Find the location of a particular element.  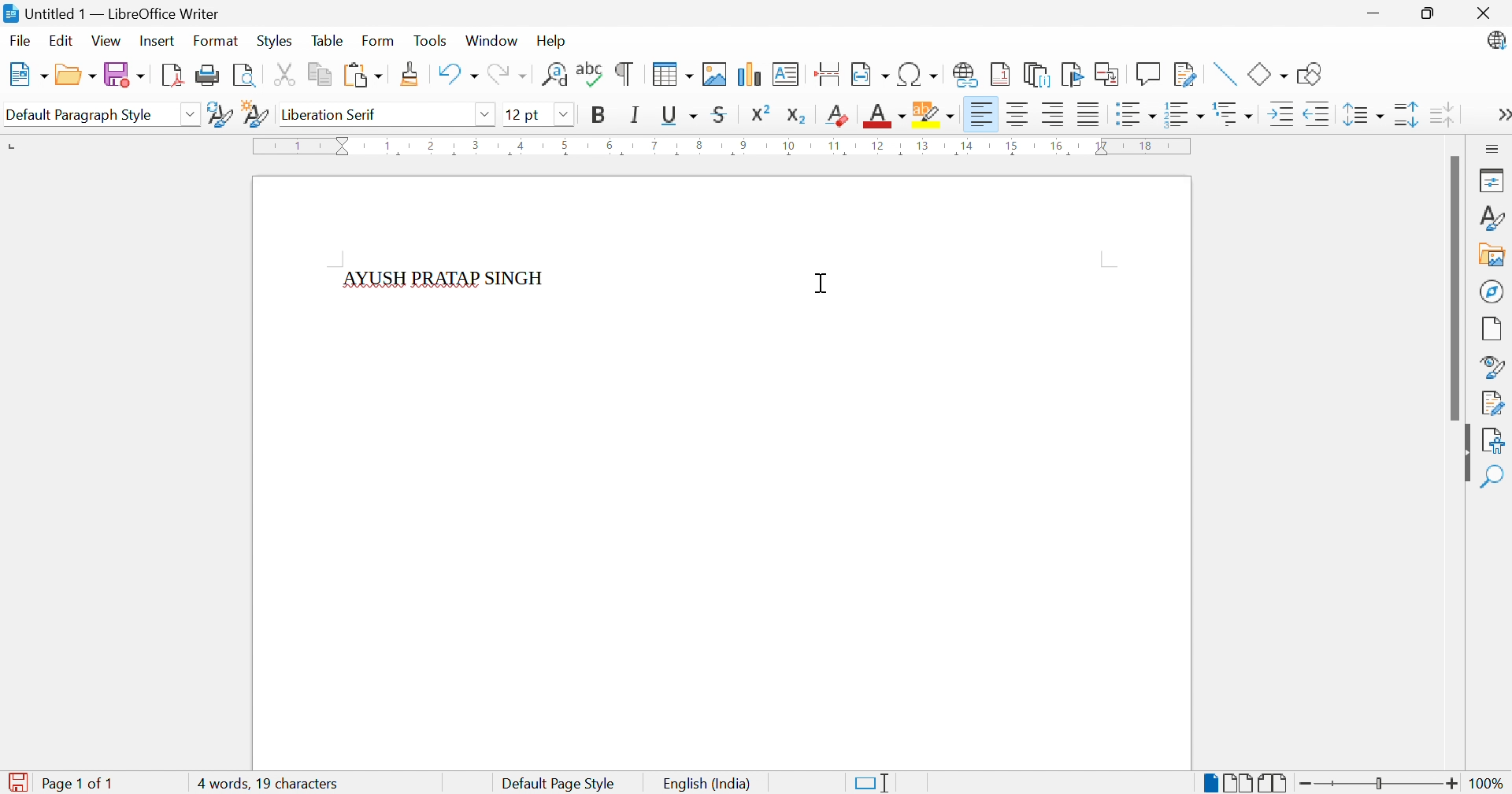

Manage Changes is located at coordinates (1494, 402).